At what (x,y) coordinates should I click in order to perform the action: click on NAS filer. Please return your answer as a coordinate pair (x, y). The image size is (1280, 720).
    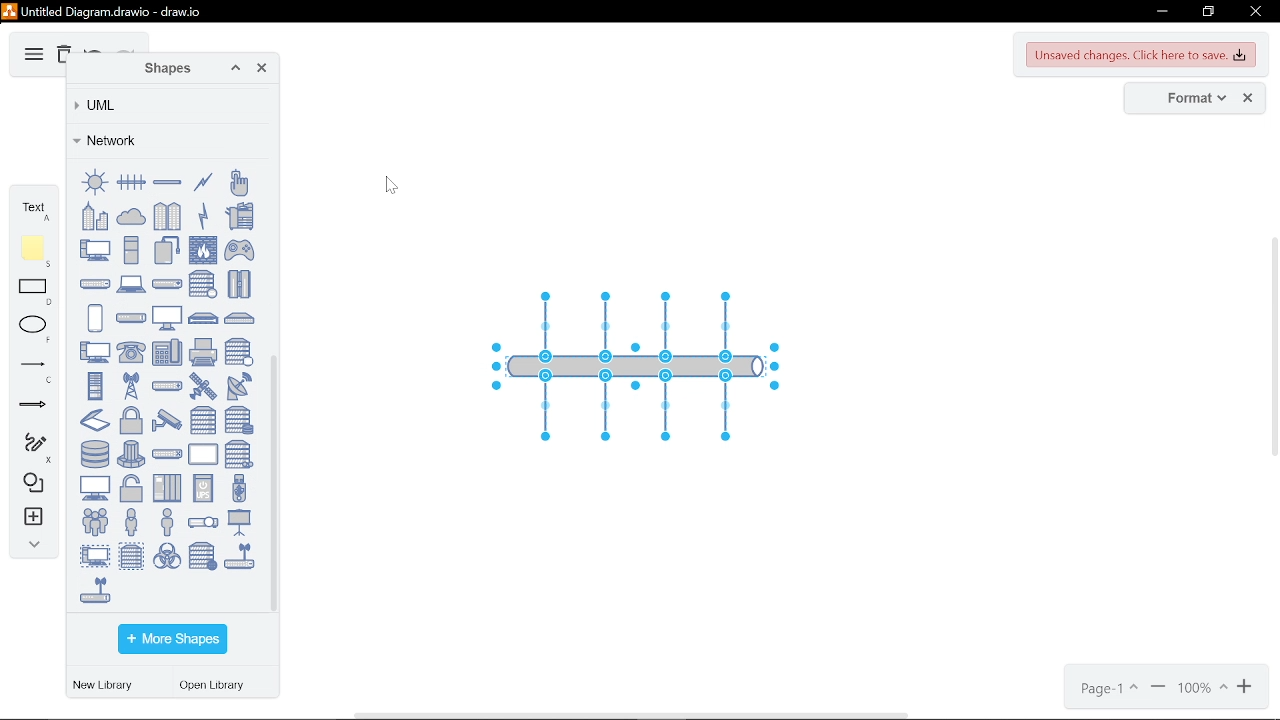
    Looking at the image, I should click on (204, 318).